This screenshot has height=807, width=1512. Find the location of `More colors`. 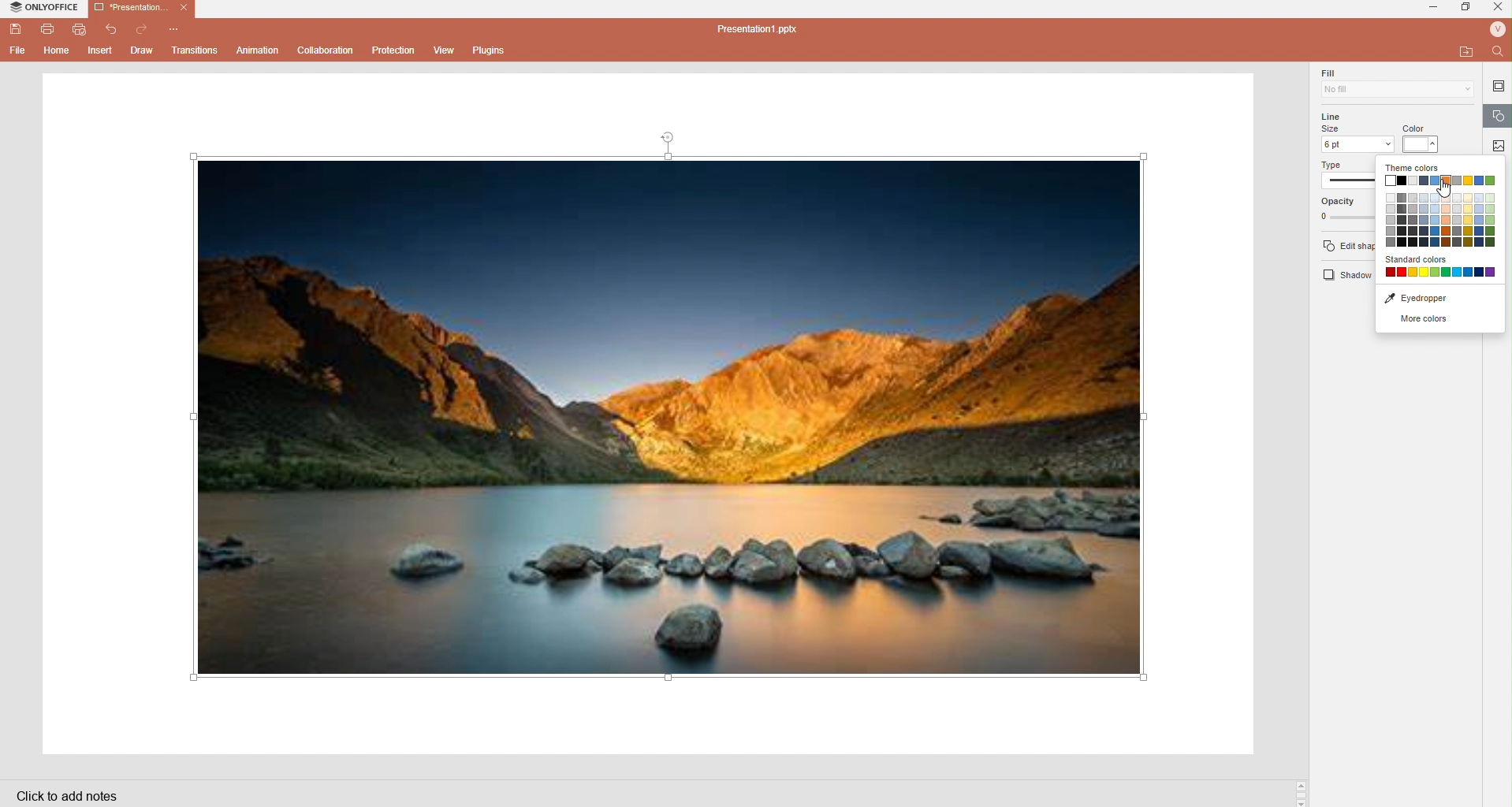

More colors is located at coordinates (1440, 322).